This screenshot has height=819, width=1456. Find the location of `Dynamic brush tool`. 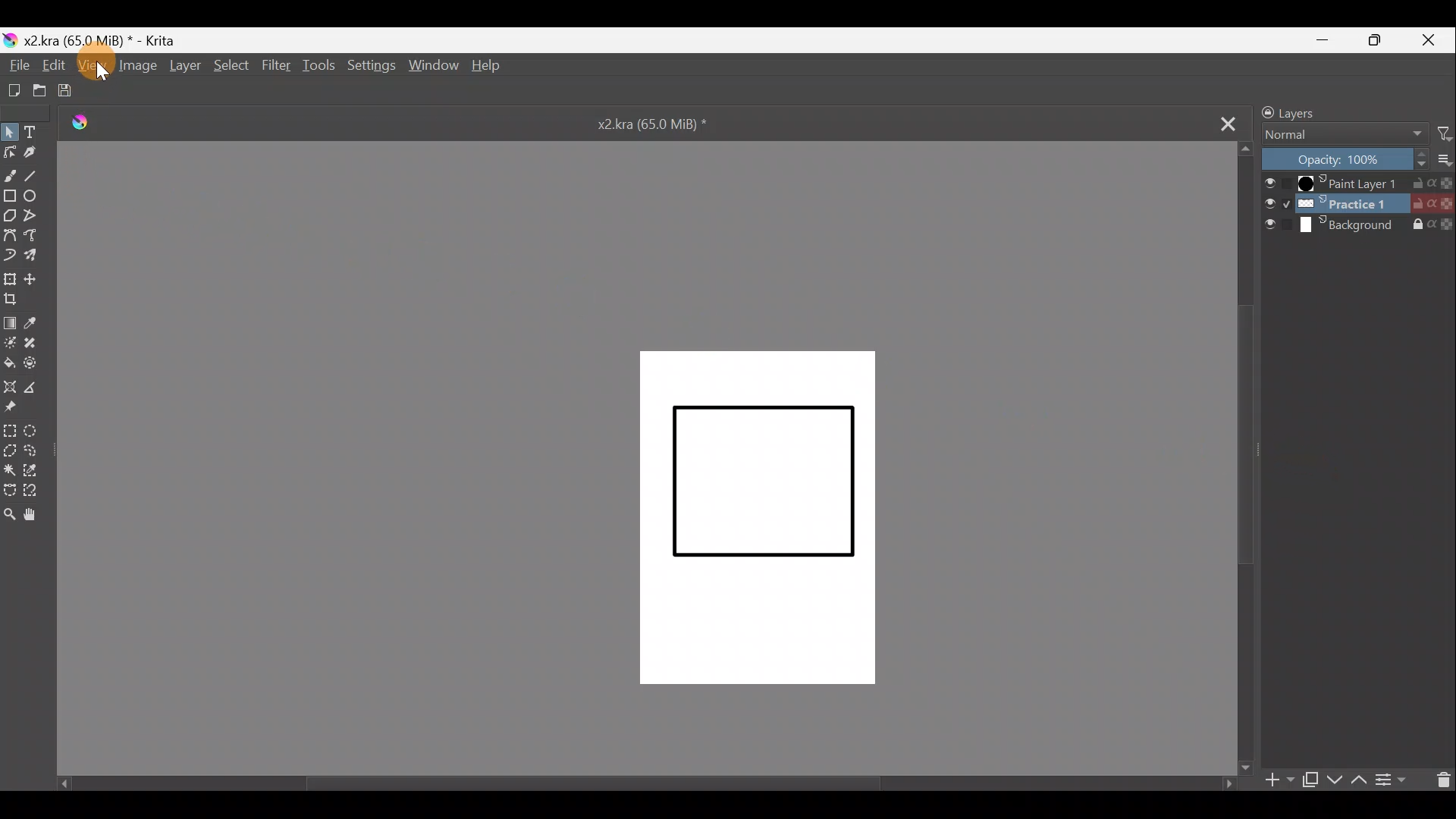

Dynamic brush tool is located at coordinates (12, 255).